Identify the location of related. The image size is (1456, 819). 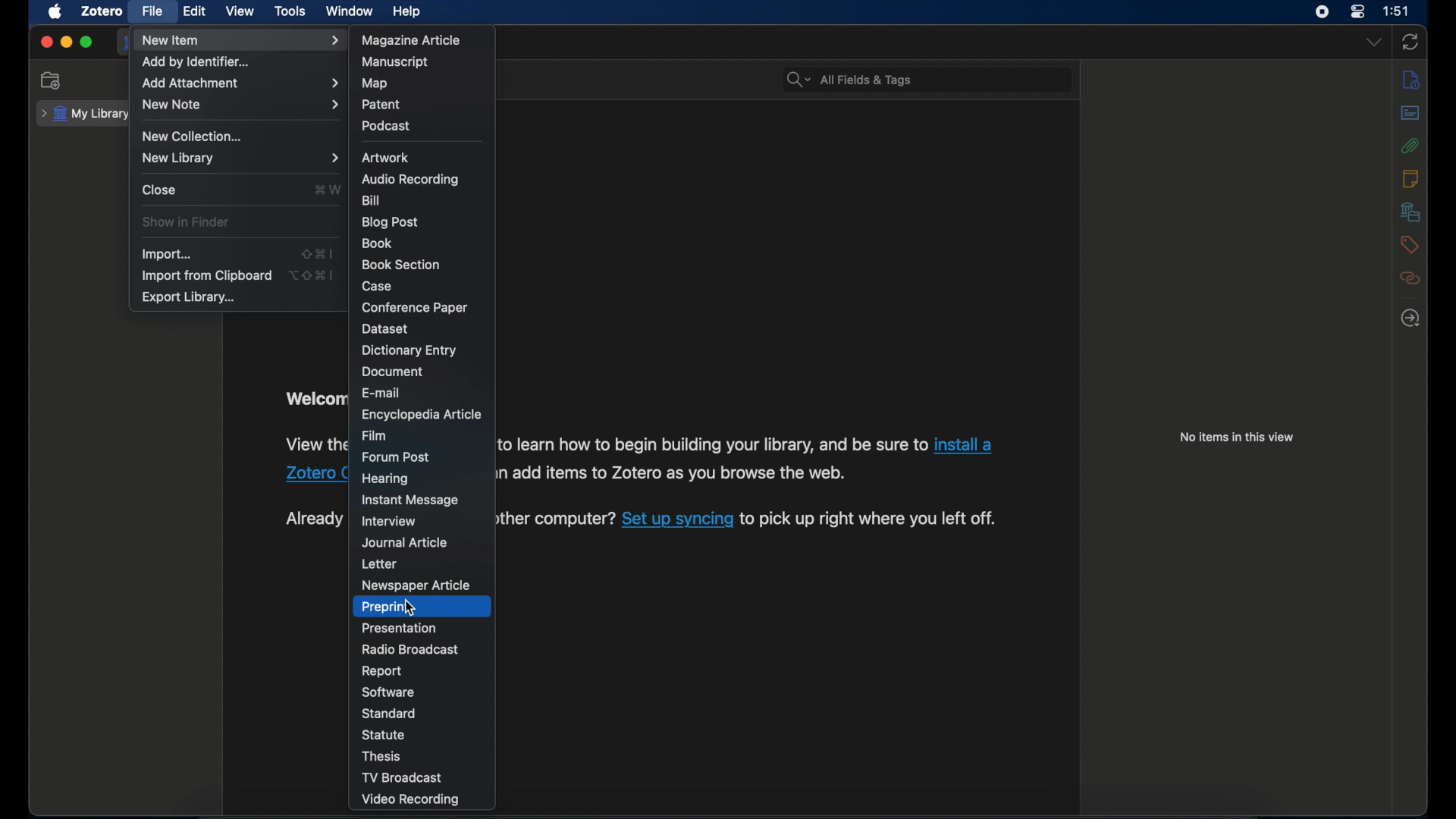
(1410, 278).